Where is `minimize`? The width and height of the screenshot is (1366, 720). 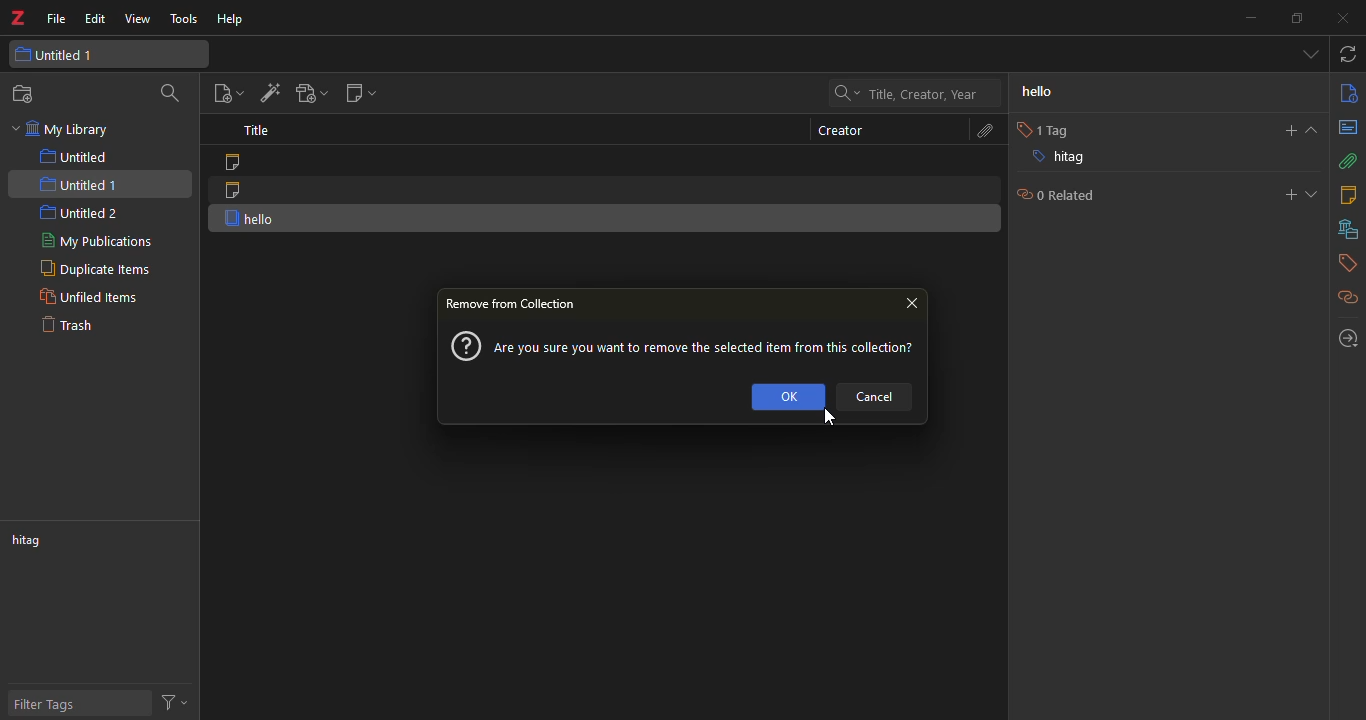
minimize is located at coordinates (1243, 20).